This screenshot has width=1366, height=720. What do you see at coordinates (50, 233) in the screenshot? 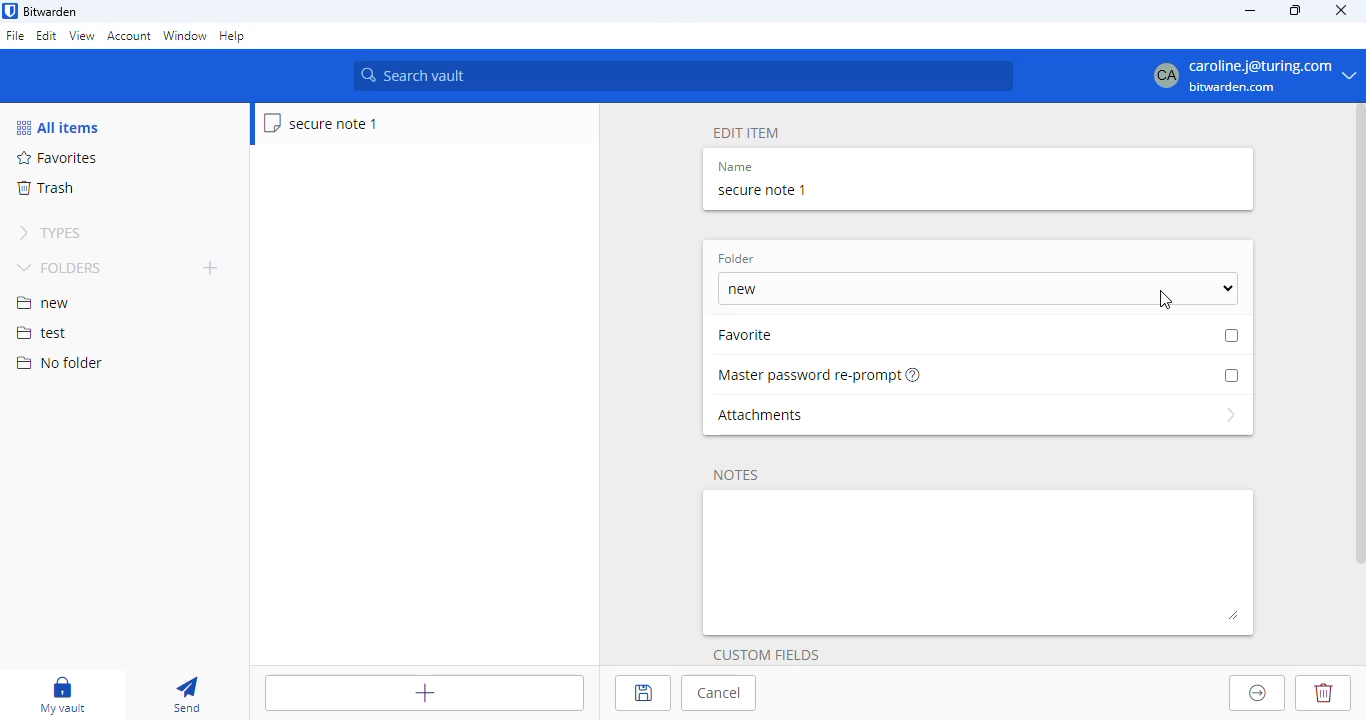
I see `types` at bounding box center [50, 233].